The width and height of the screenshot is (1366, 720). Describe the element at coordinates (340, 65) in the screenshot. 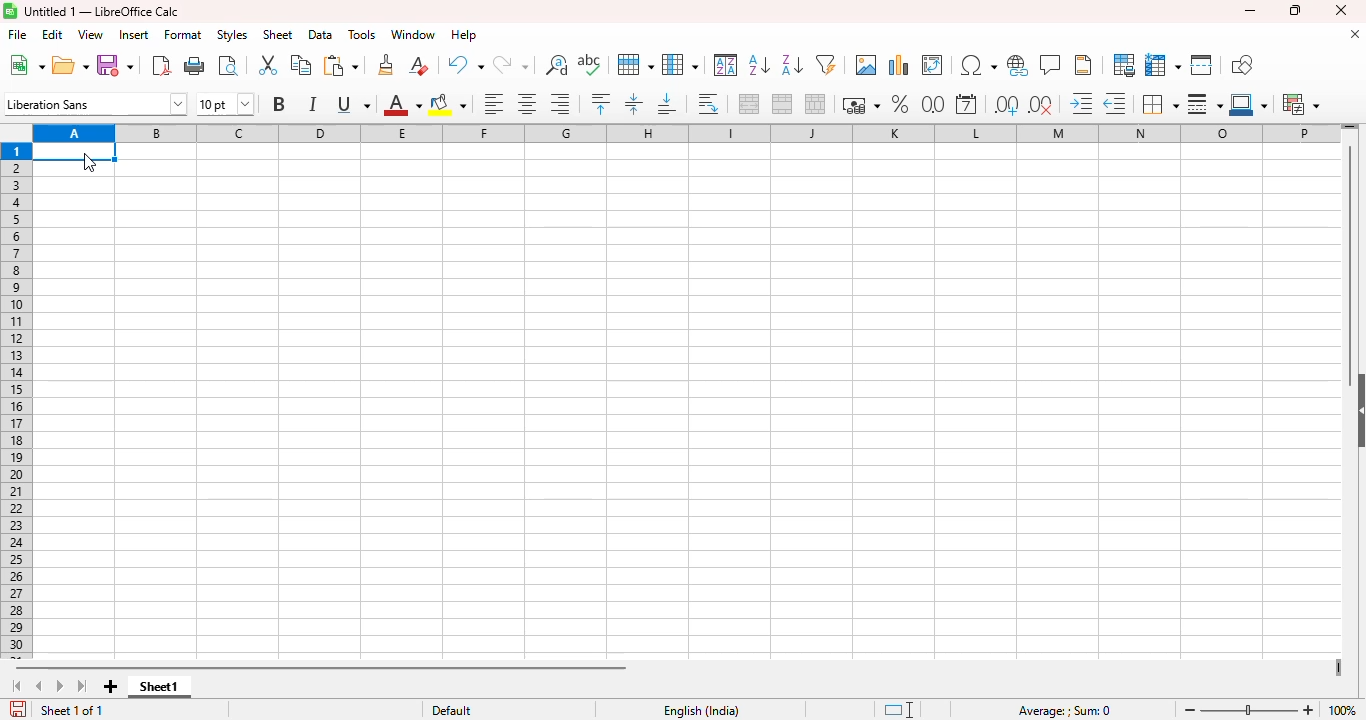

I see `paste` at that location.